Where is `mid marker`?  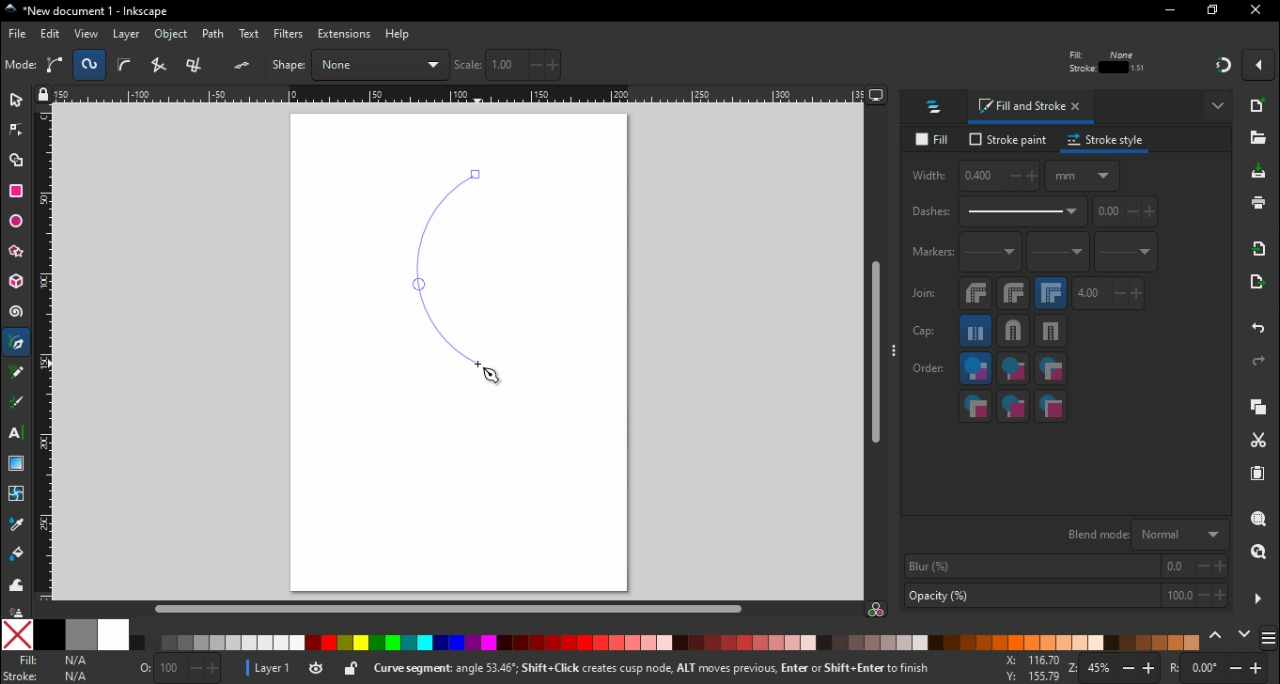
mid marker is located at coordinates (1061, 256).